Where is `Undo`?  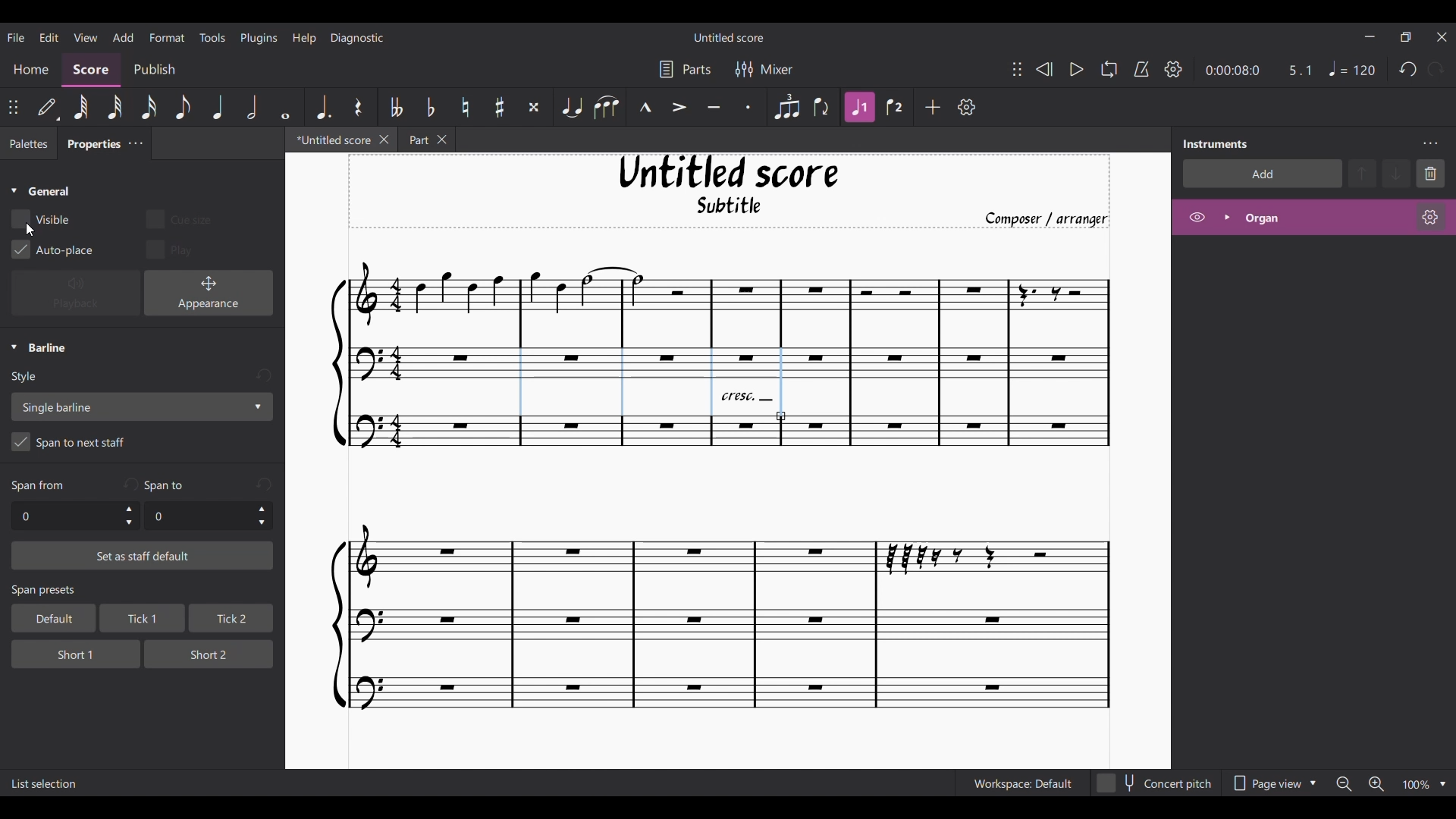 Undo is located at coordinates (1408, 70).